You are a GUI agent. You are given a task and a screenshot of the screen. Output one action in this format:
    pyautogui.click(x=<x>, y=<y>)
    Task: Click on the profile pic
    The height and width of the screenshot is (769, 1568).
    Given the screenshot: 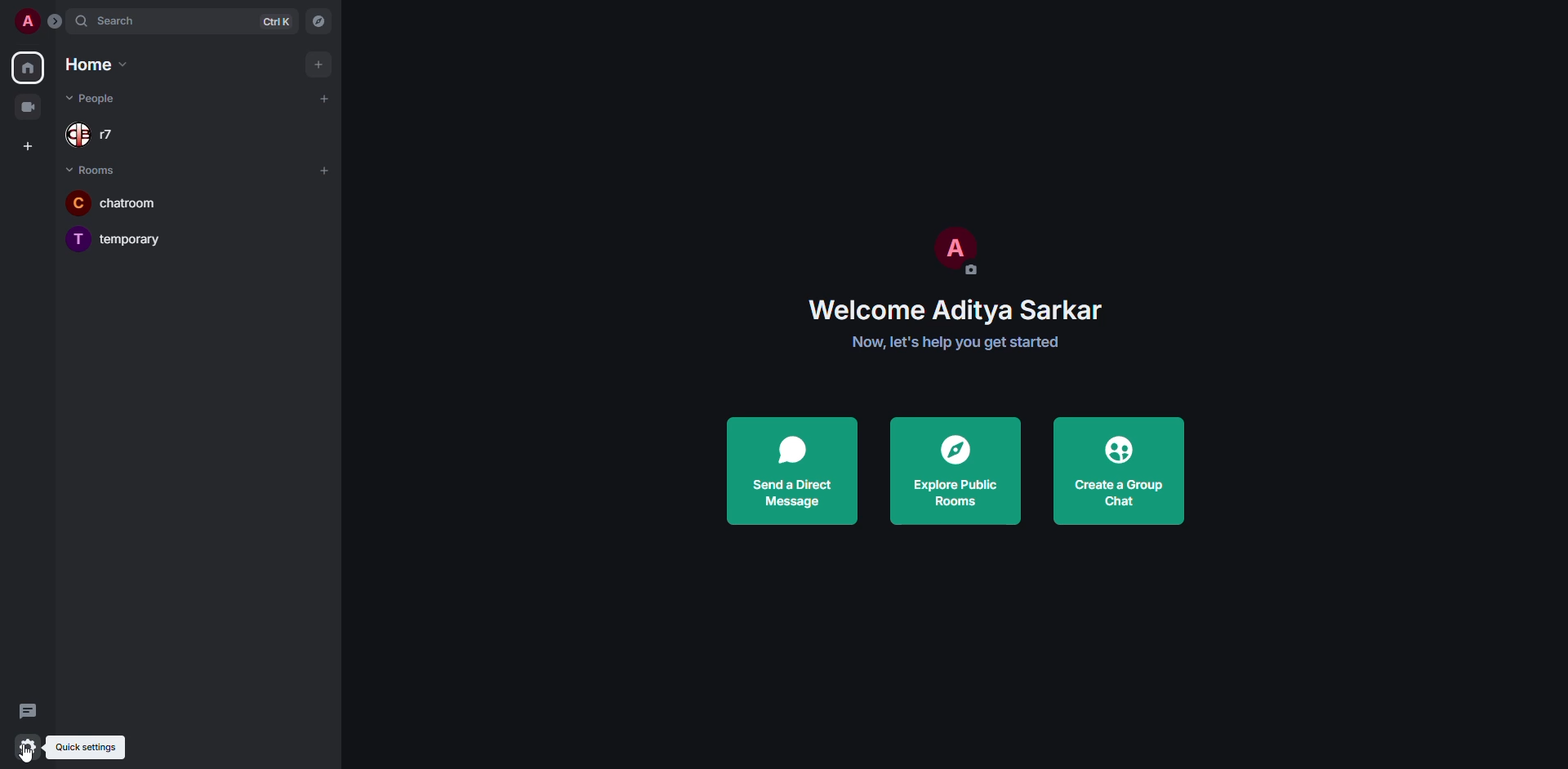 What is the action you would take?
    pyautogui.click(x=952, y=251)
    